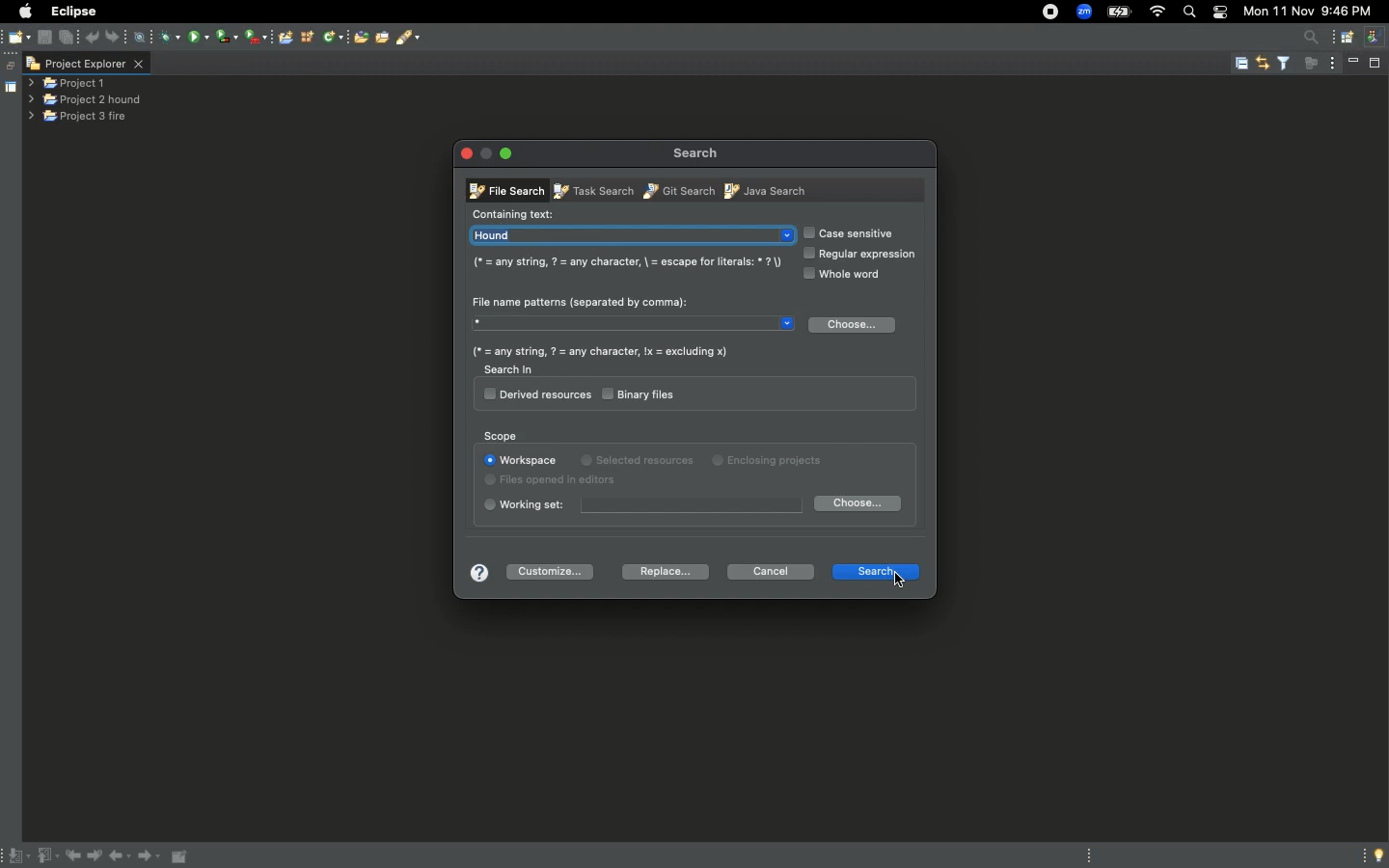 The image size is (1389, 868). What do you see at coordinates (118, 35) in the screenshot?
I see `redo` at bounding box center [118, 35].